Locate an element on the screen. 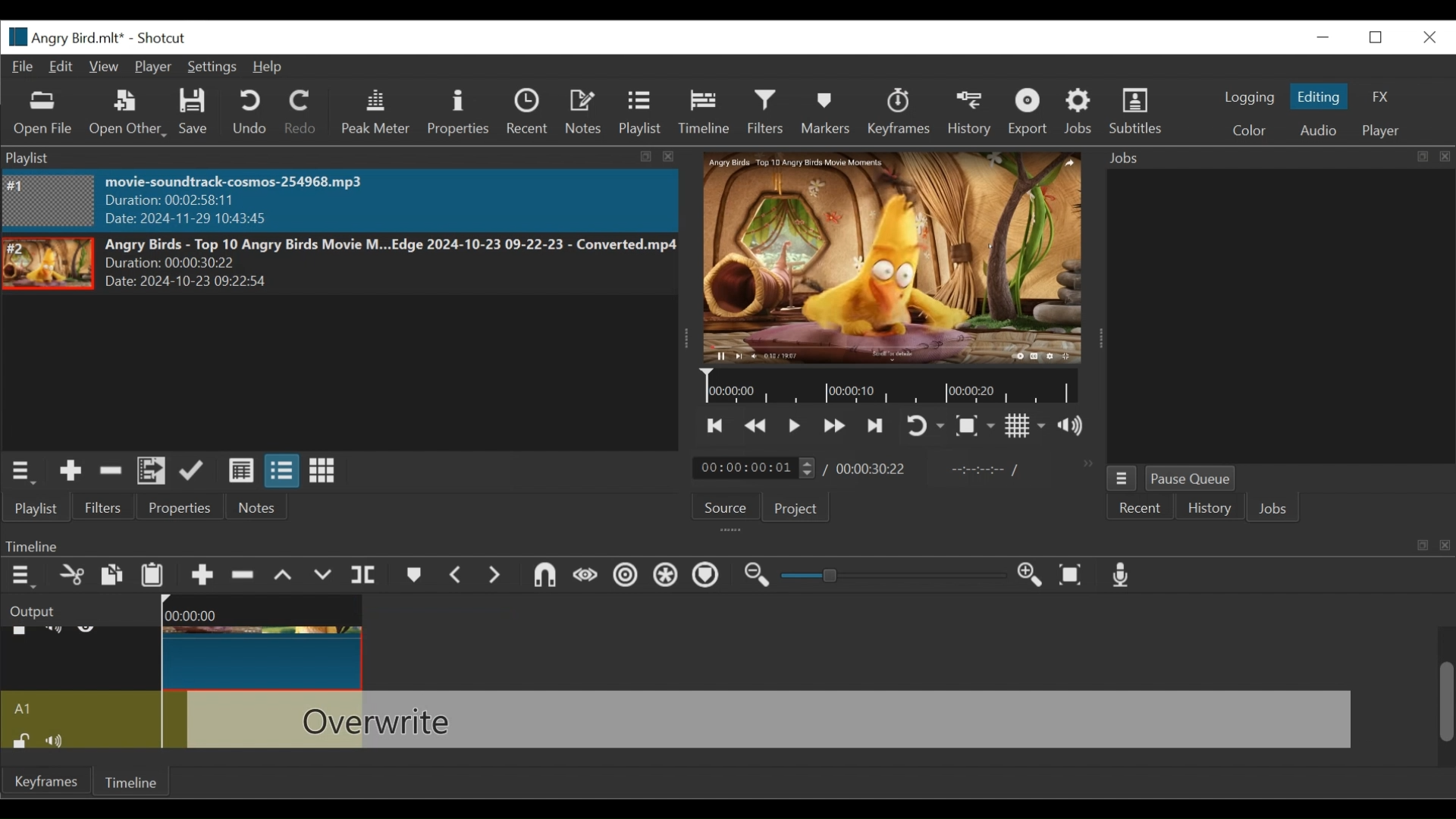  Filters is located at coordinates (767, 114).